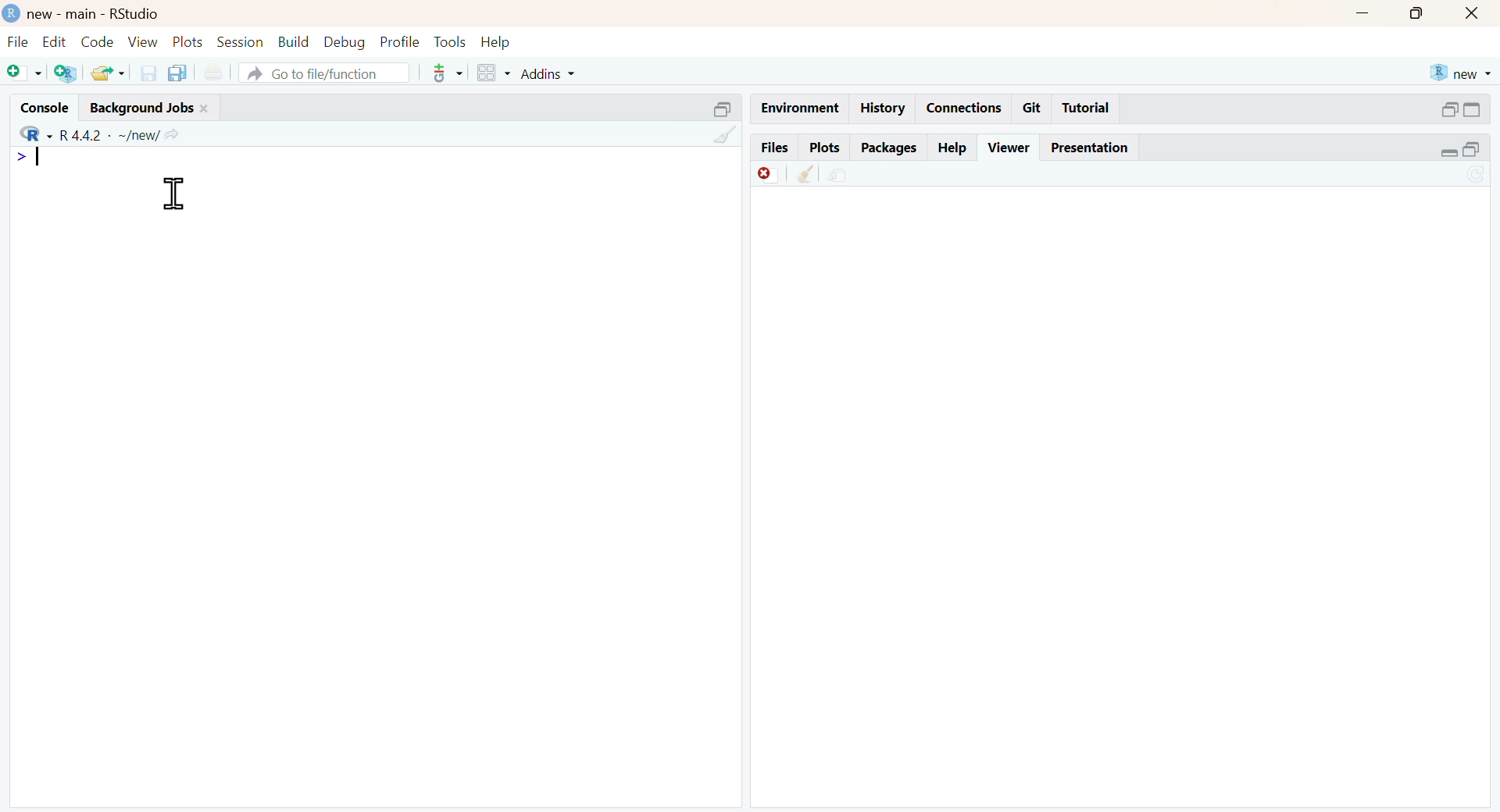  I want to click on history, so click(884, 109).